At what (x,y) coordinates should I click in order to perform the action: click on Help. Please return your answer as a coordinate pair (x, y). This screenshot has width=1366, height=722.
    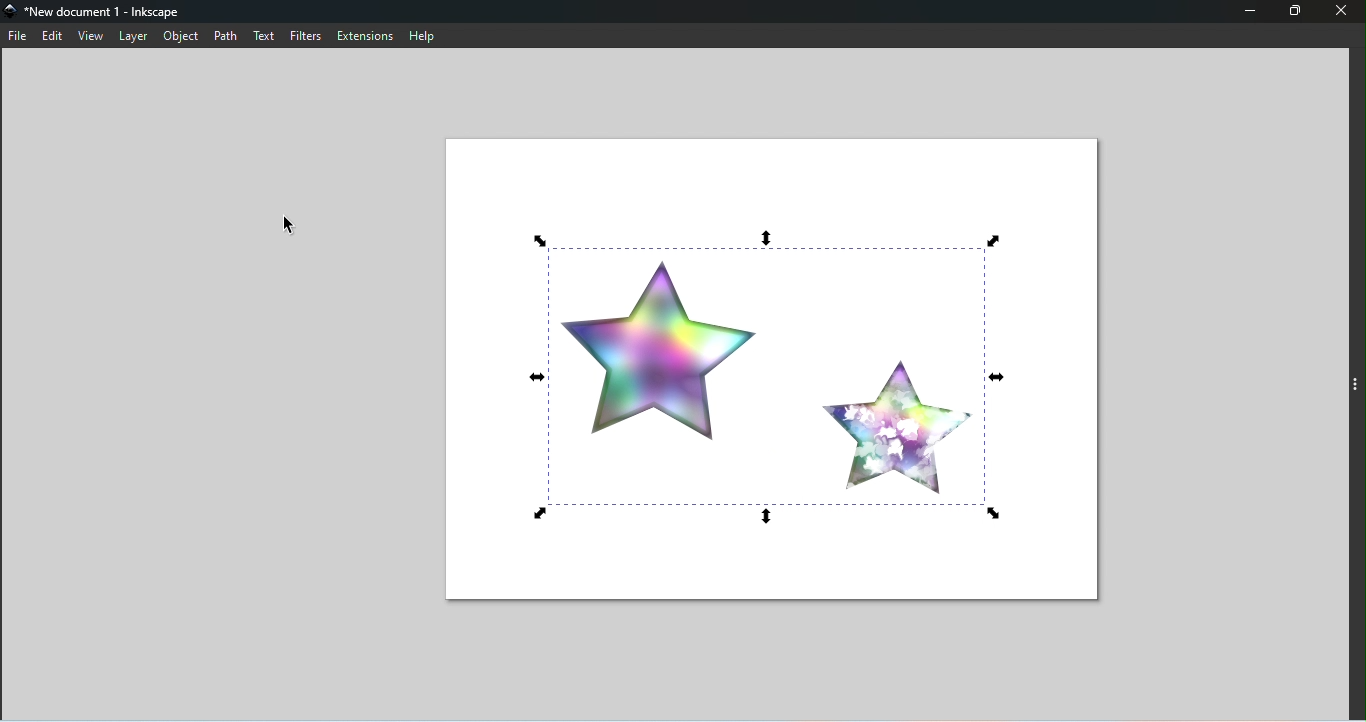
    Looking at the image, I should click on (429, 35).